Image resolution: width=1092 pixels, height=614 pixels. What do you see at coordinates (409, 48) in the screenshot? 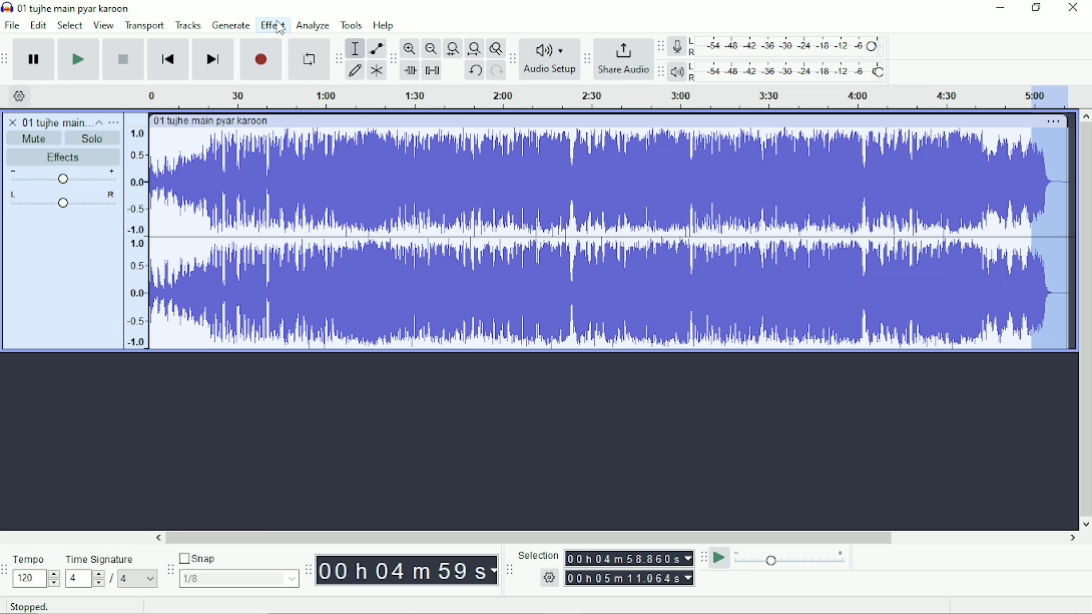
I see `Zoom In` at bounding box center [409, 48].